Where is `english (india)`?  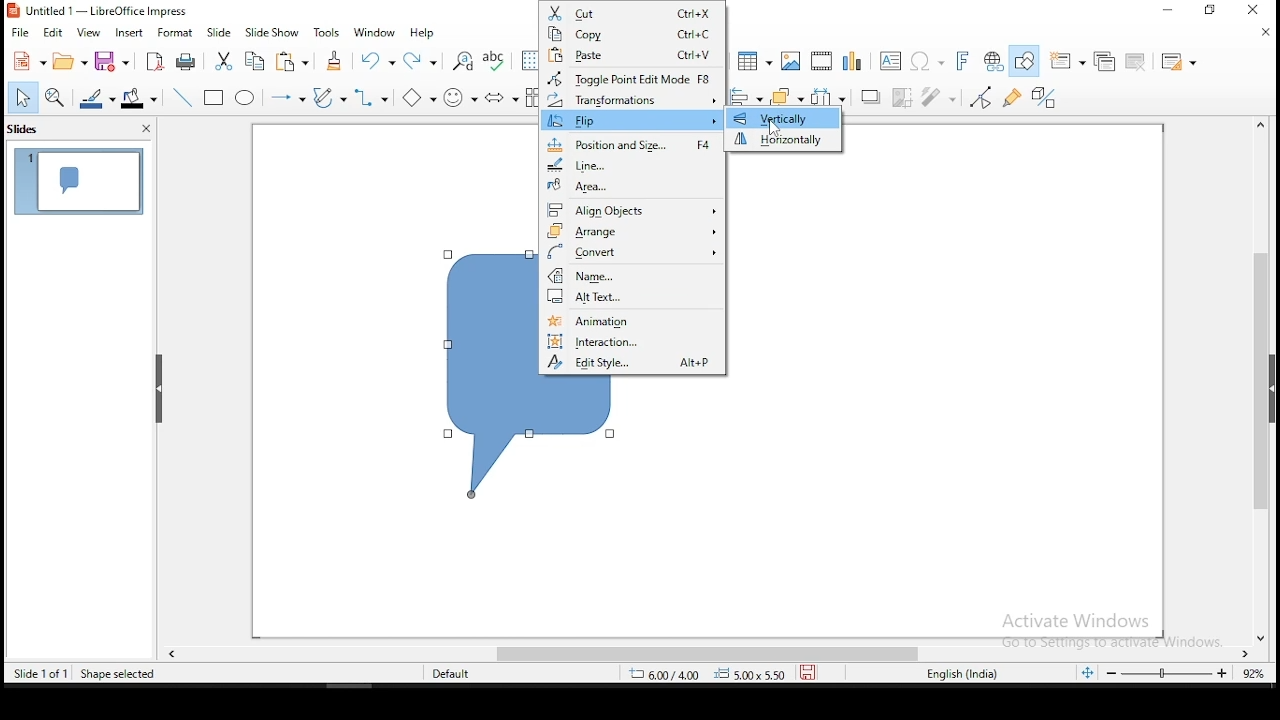
english (india) is located at coordinates (954, 671).